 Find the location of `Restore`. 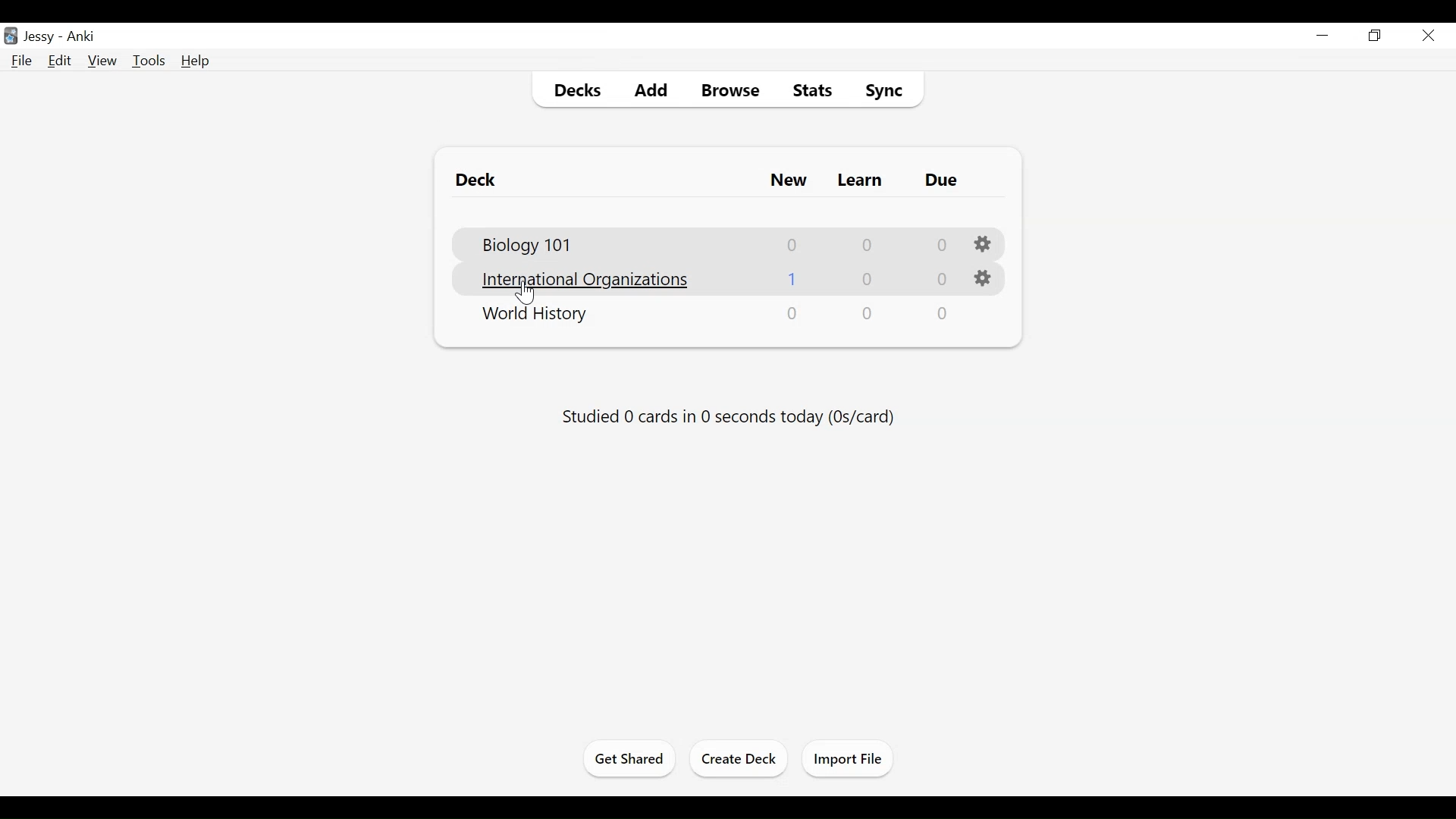

Restore is located at coordinates (1377, 35).